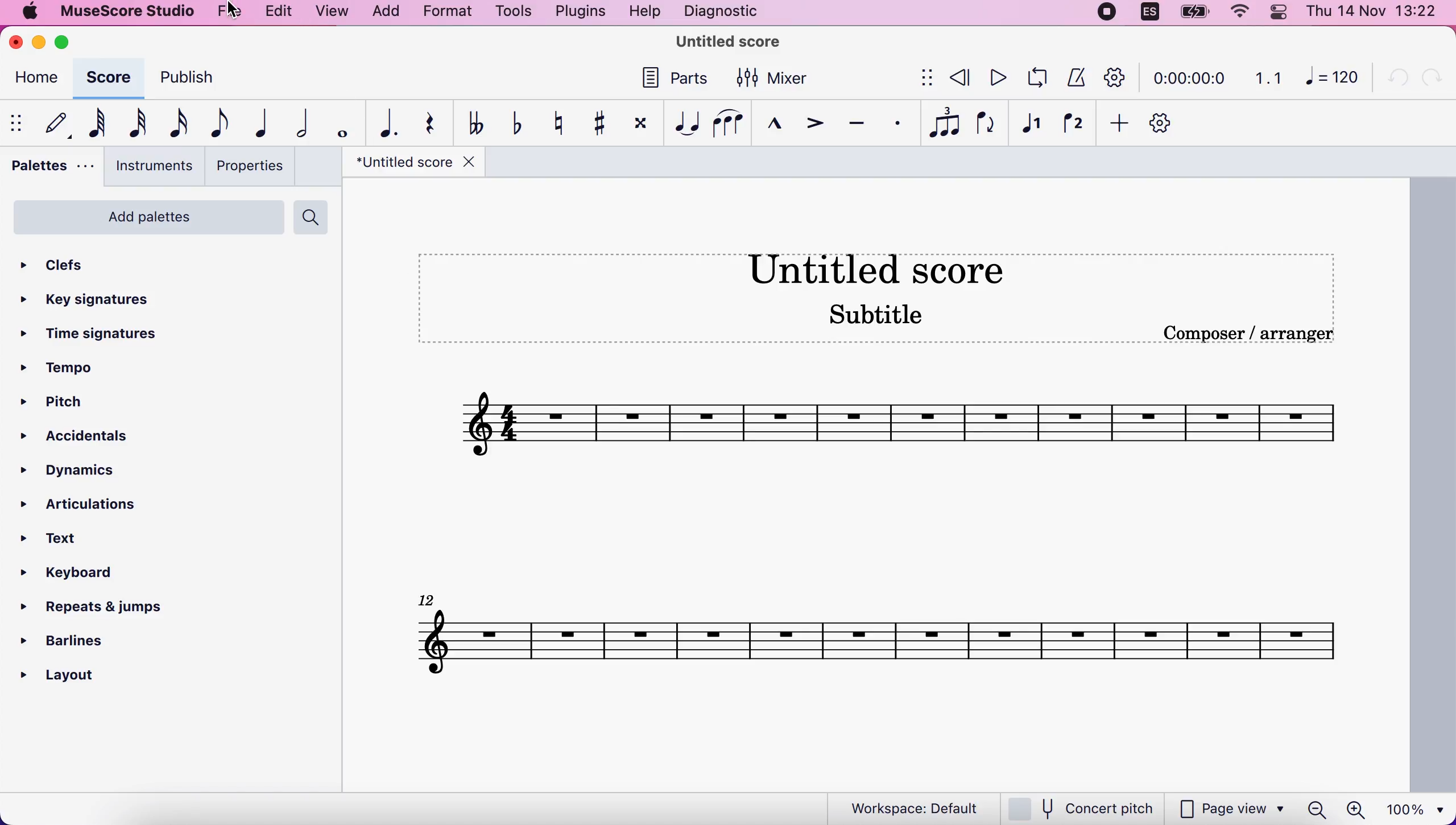 The image size is (1456, 825). I want to click on default, so click(53, 122).